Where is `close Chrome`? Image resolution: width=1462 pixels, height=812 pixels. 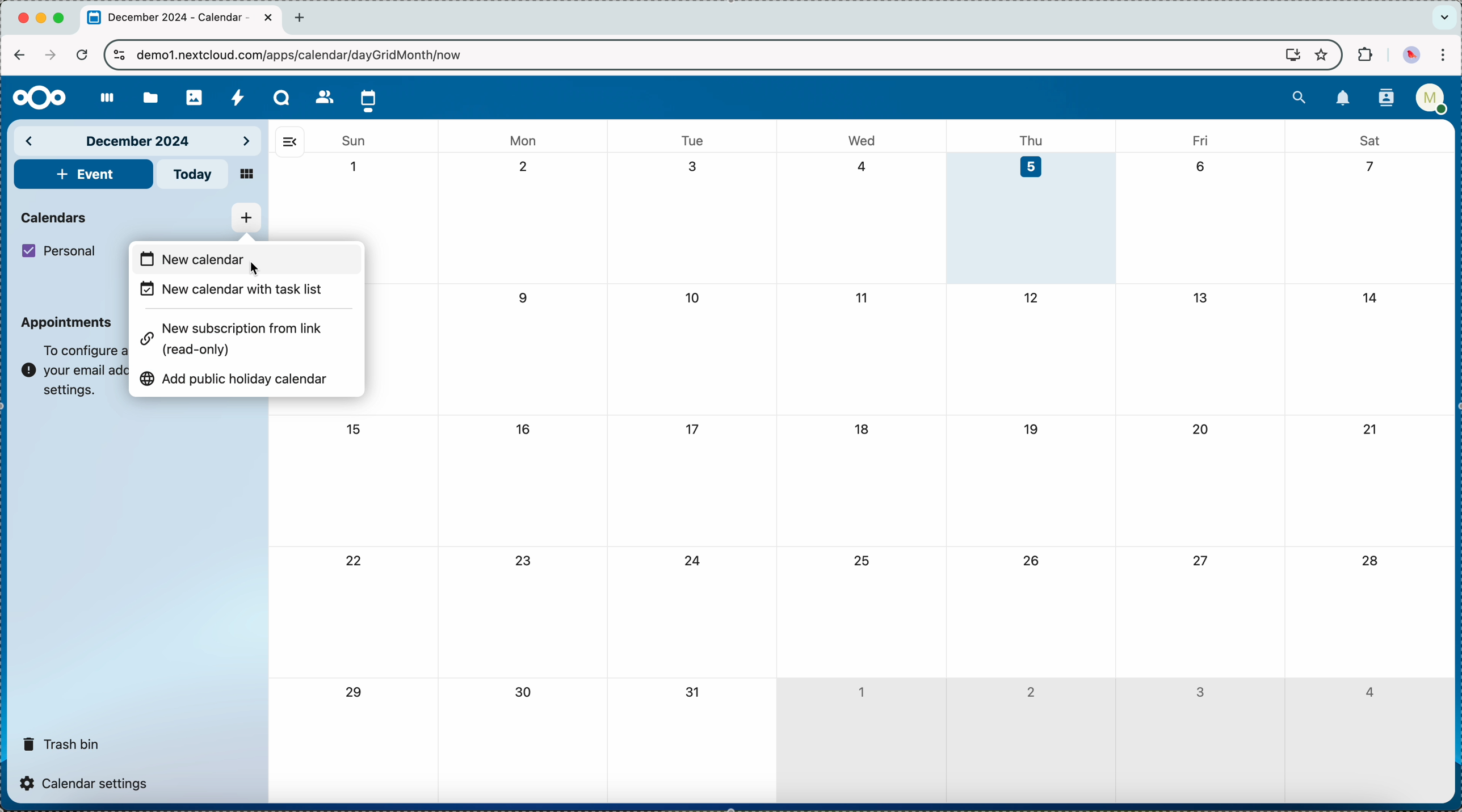 close Chrome is located at coordinates (23, 19).